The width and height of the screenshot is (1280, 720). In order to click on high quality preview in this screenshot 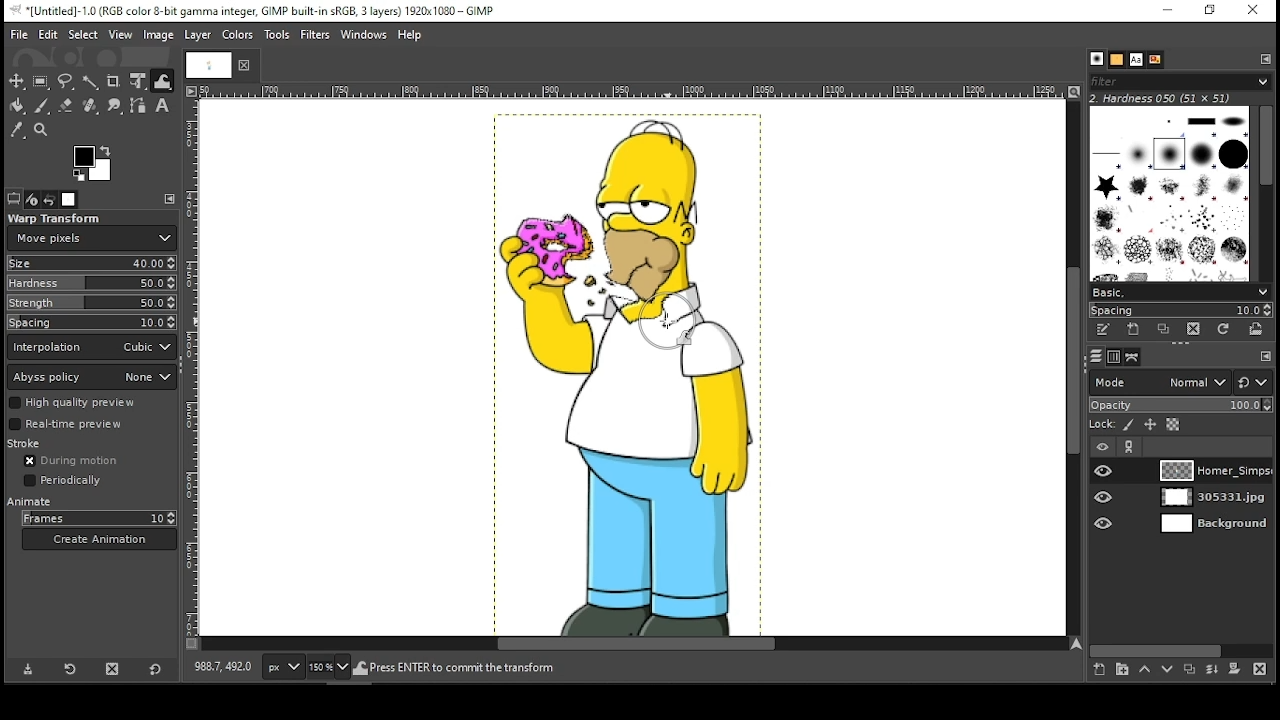, I will do `click(93, 402)`.